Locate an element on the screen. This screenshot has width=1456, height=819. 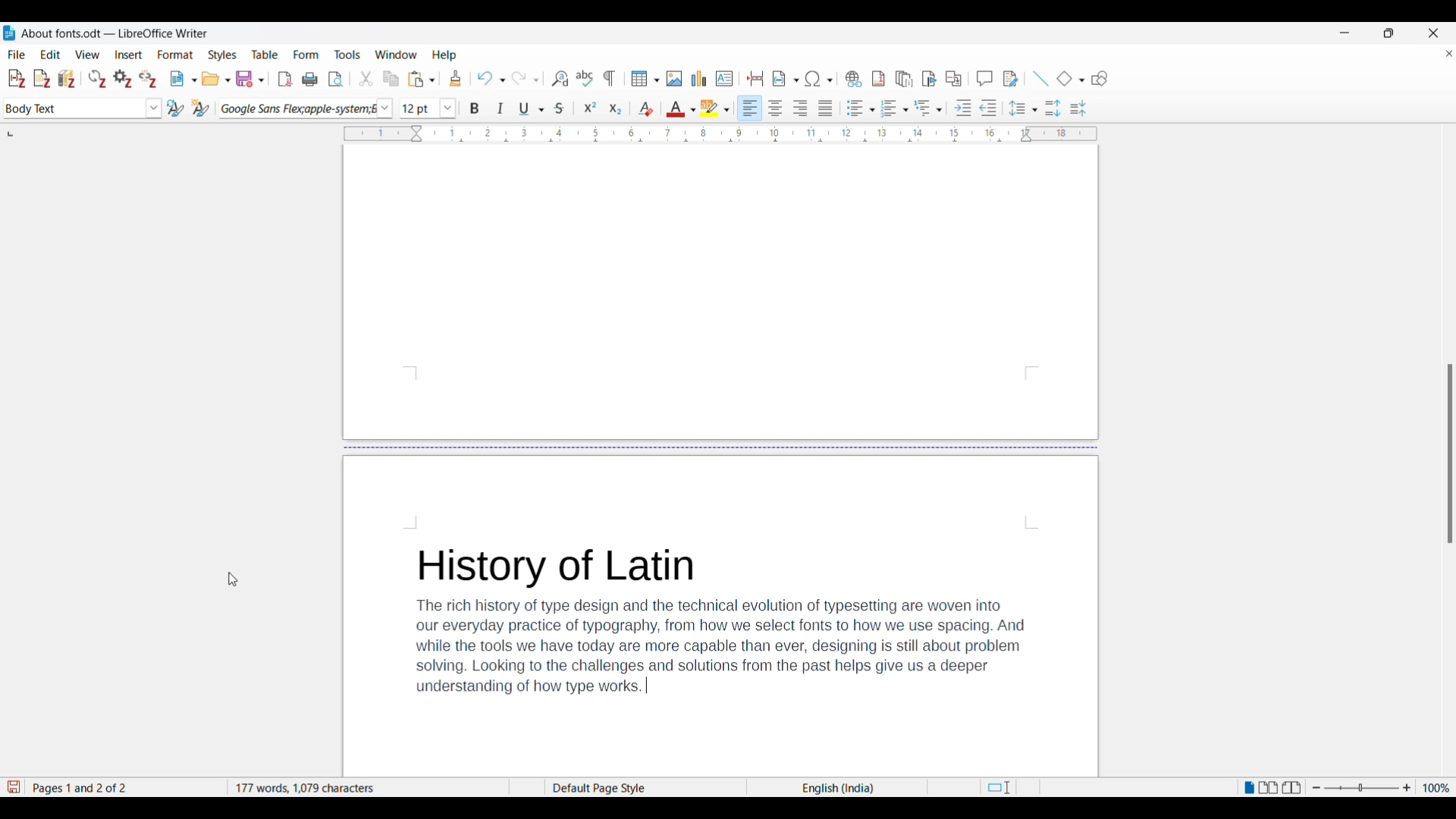
Insert page break is located at coordinates (756, 78).